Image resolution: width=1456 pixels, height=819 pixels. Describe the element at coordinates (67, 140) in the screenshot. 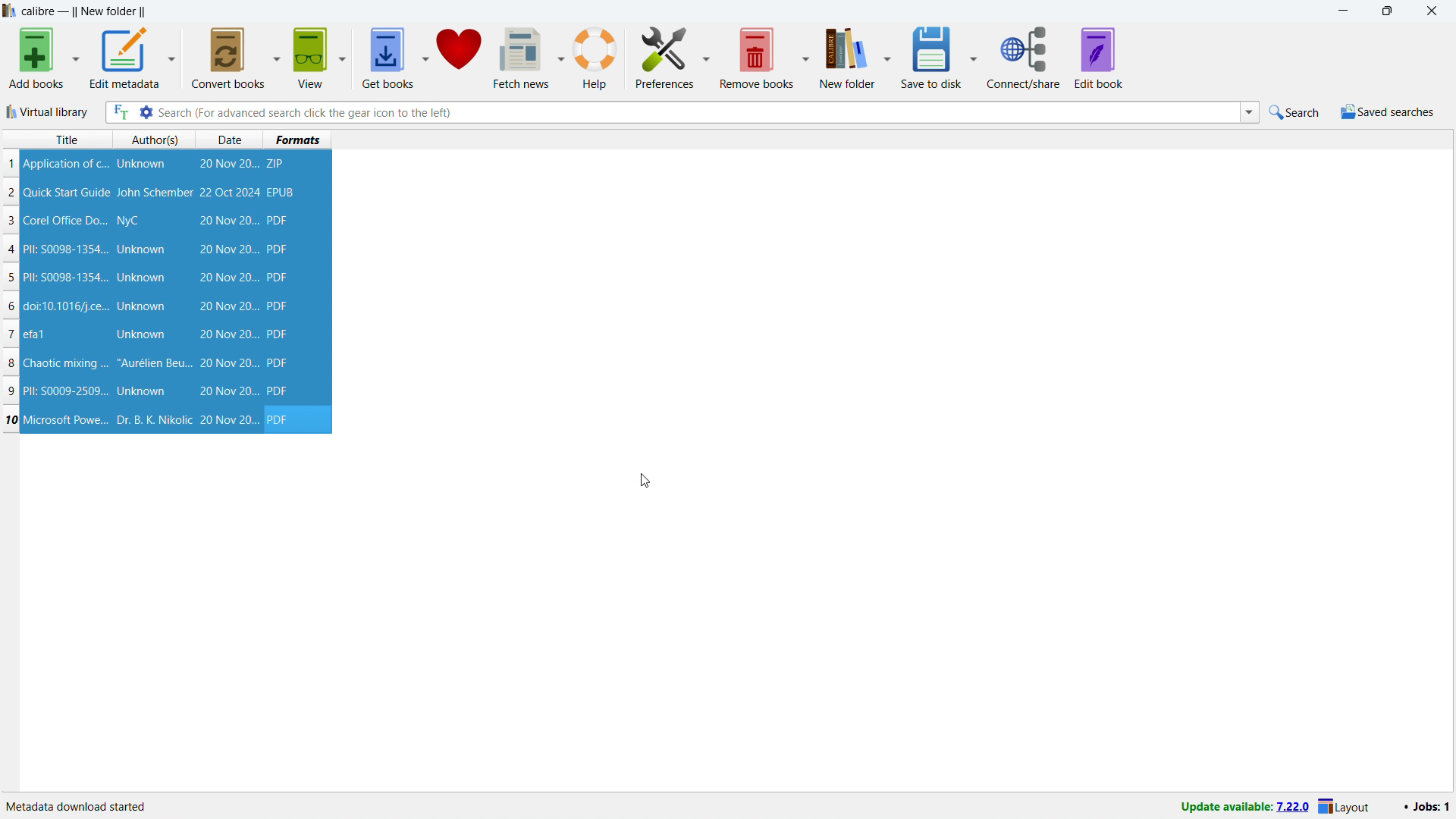

I see `Title` at that location.